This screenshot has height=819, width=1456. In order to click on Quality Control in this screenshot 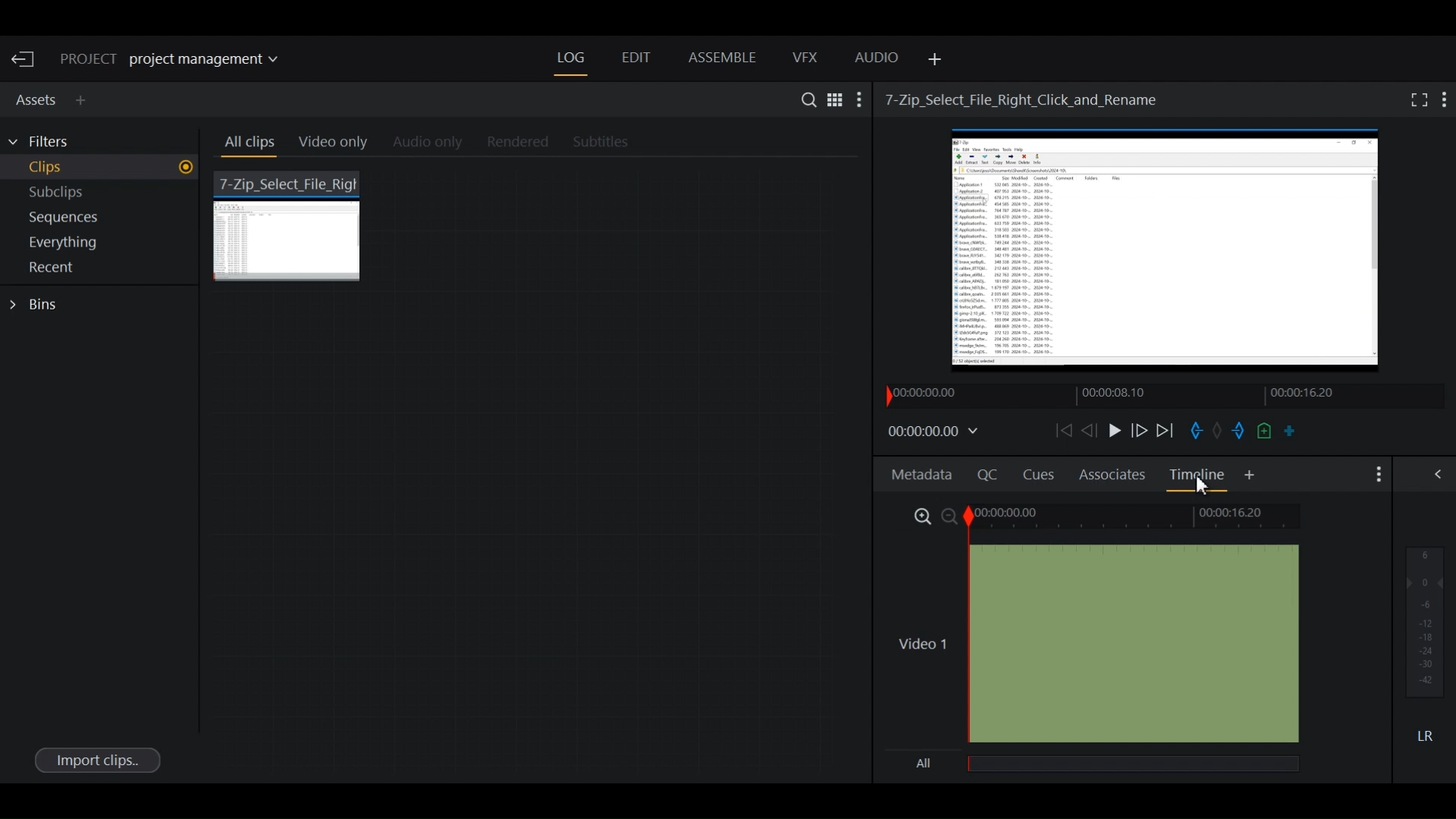, I will do `click(984, 474)`.